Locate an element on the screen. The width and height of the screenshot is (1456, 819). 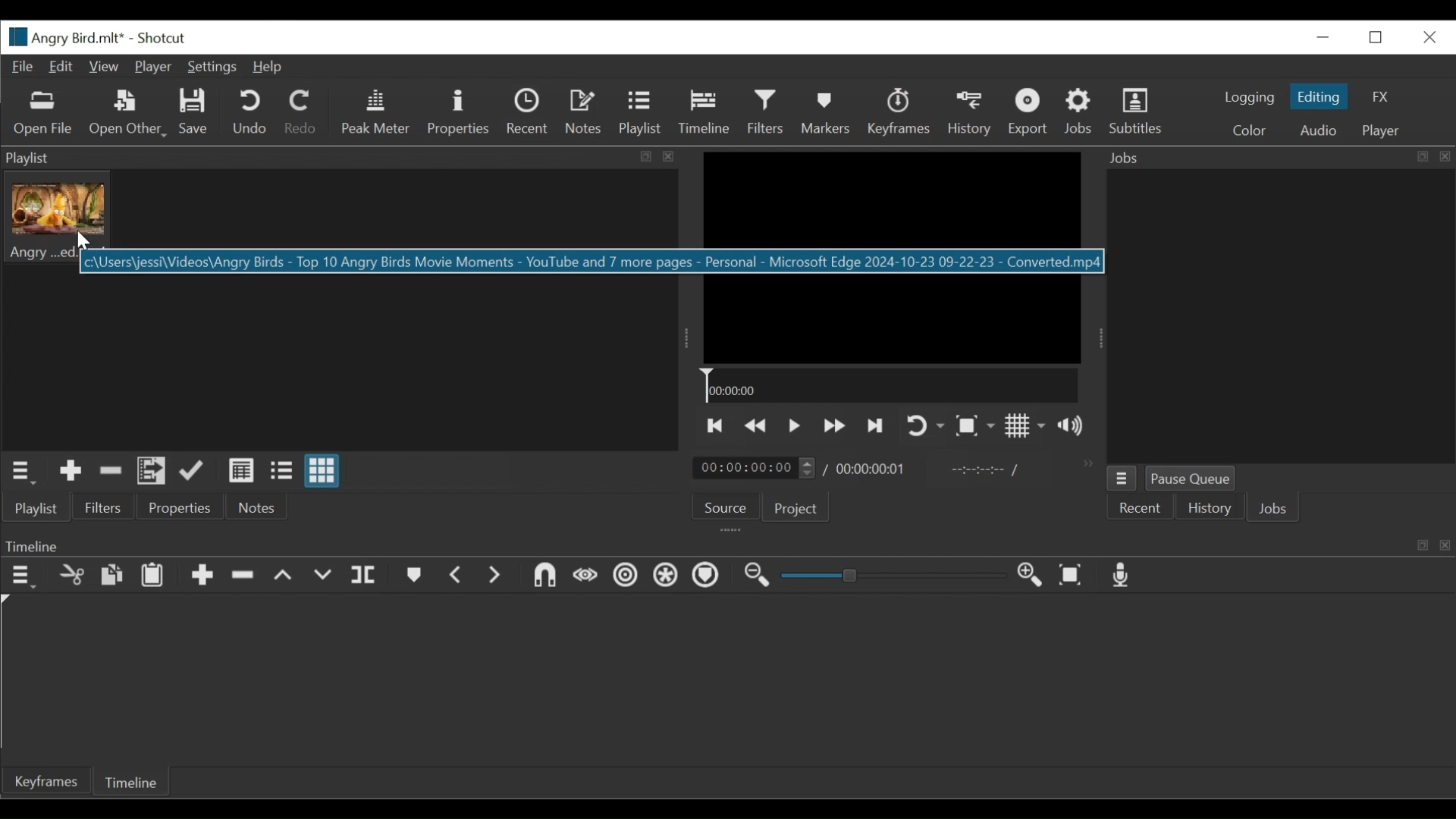
Play backwards quickly is located at coordinates (757, 426).